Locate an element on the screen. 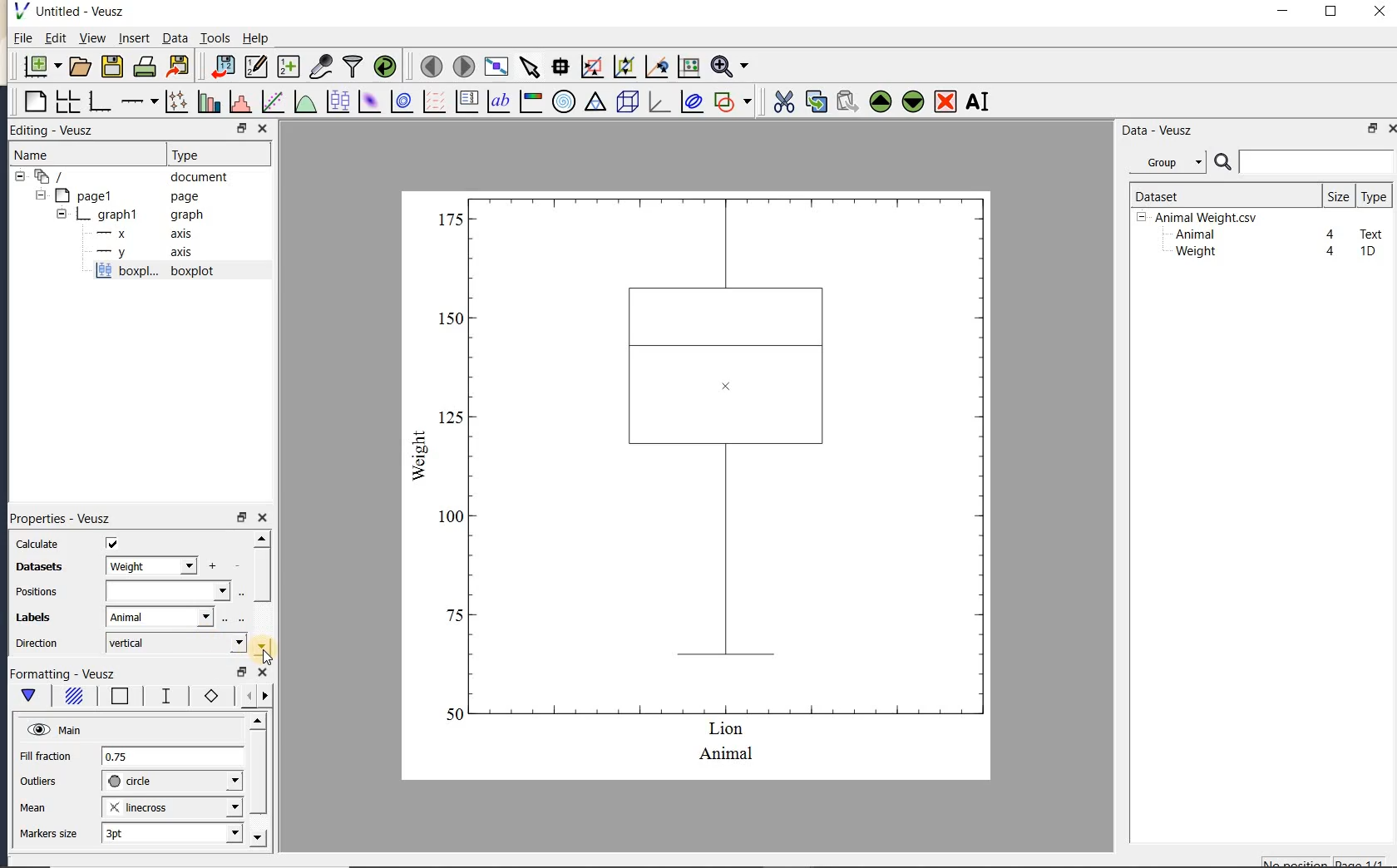 The width and height of the screenshot is (1397, 868). close is located at coordinates (263, 519).